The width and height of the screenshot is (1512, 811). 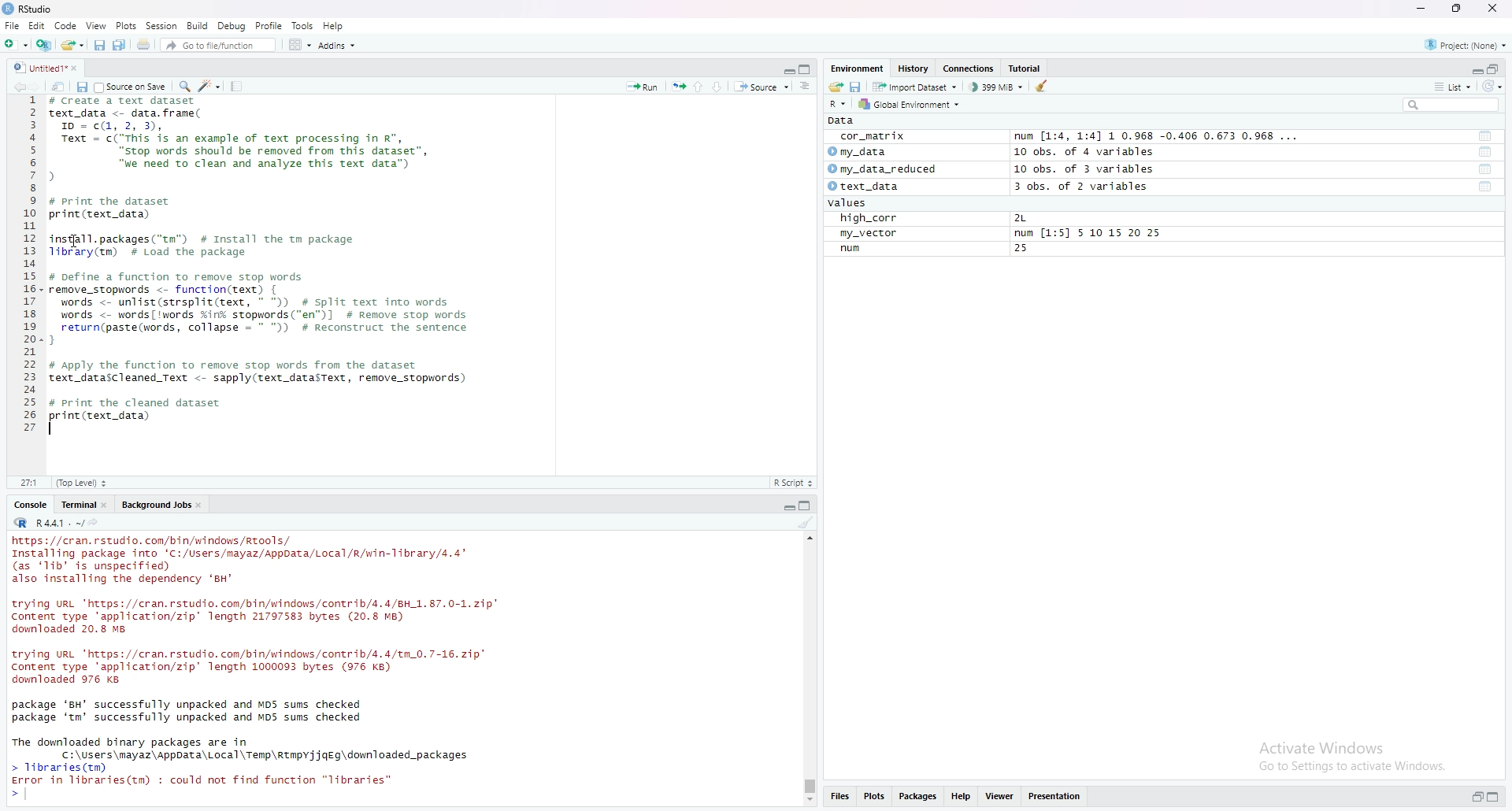 What do you see at coordinates (1083, 186) in the screenshot?
I see `3 obs. of 2 variables` at bounding box center [1083, 186].